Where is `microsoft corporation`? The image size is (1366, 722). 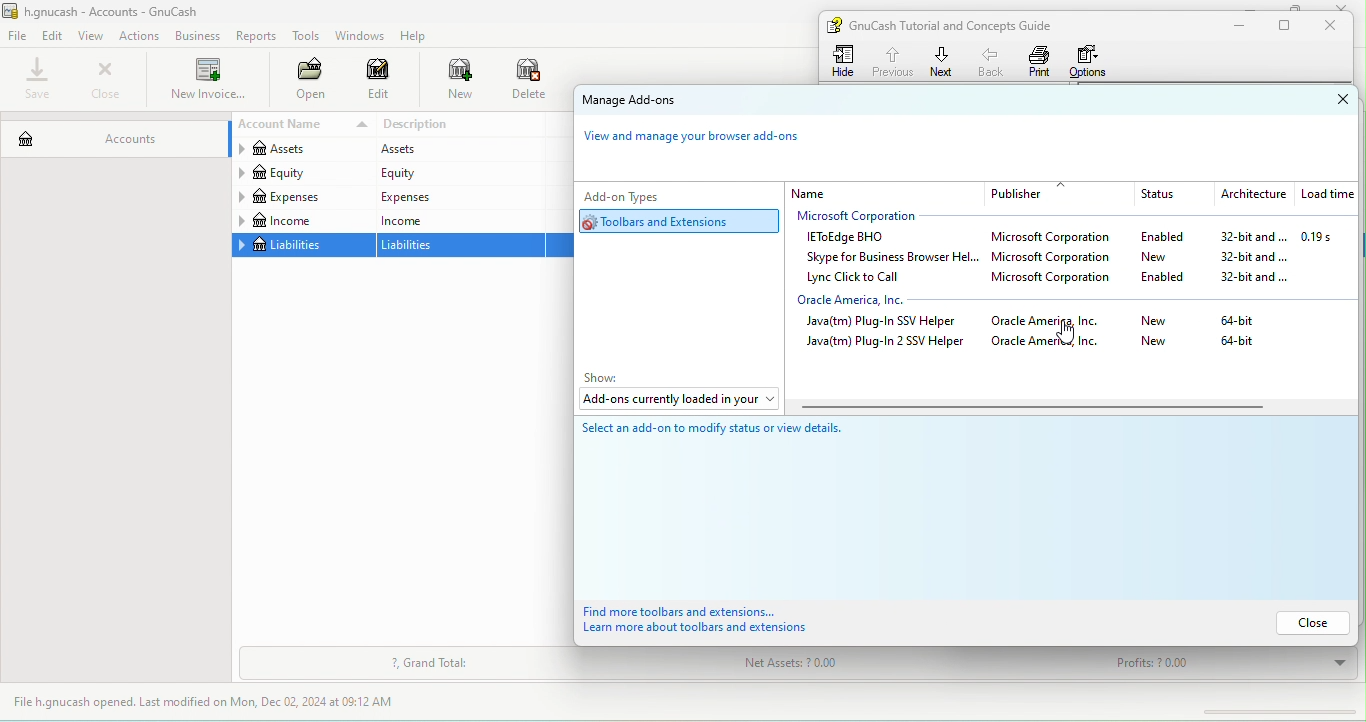
microsoft corporation is located at coordinates (869, 217).